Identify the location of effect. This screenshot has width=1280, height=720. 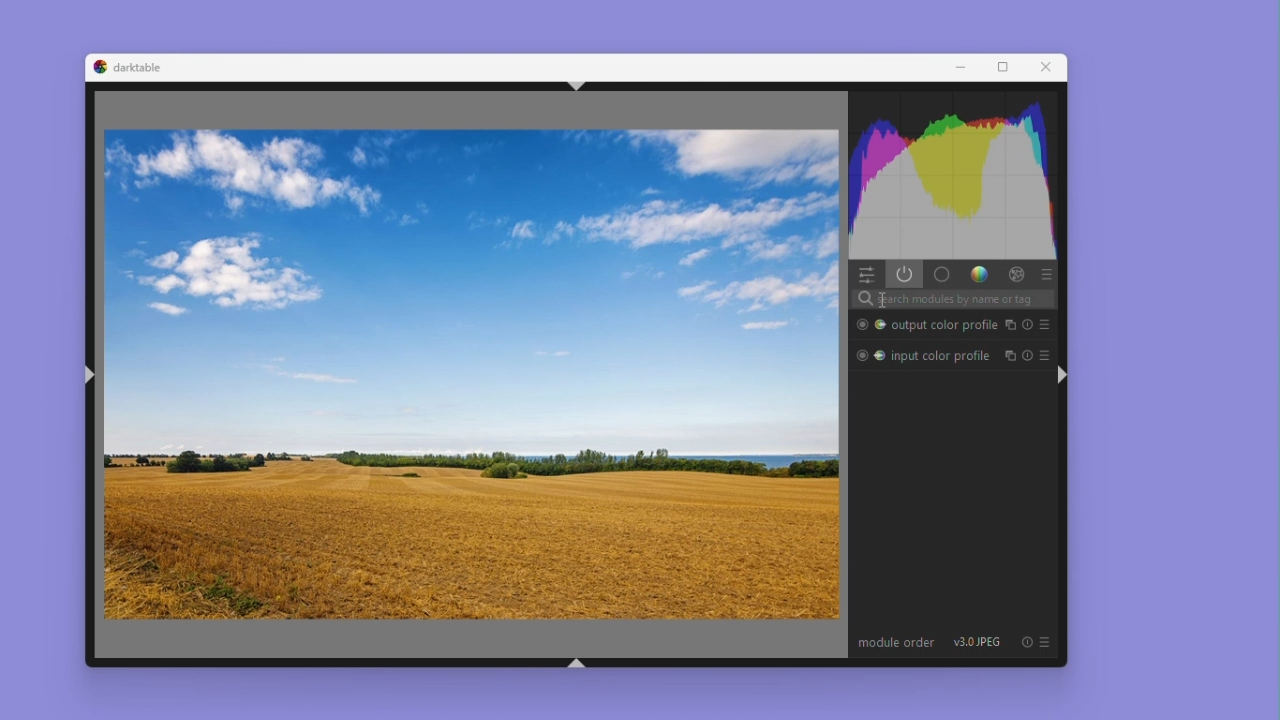
(1013, 275).